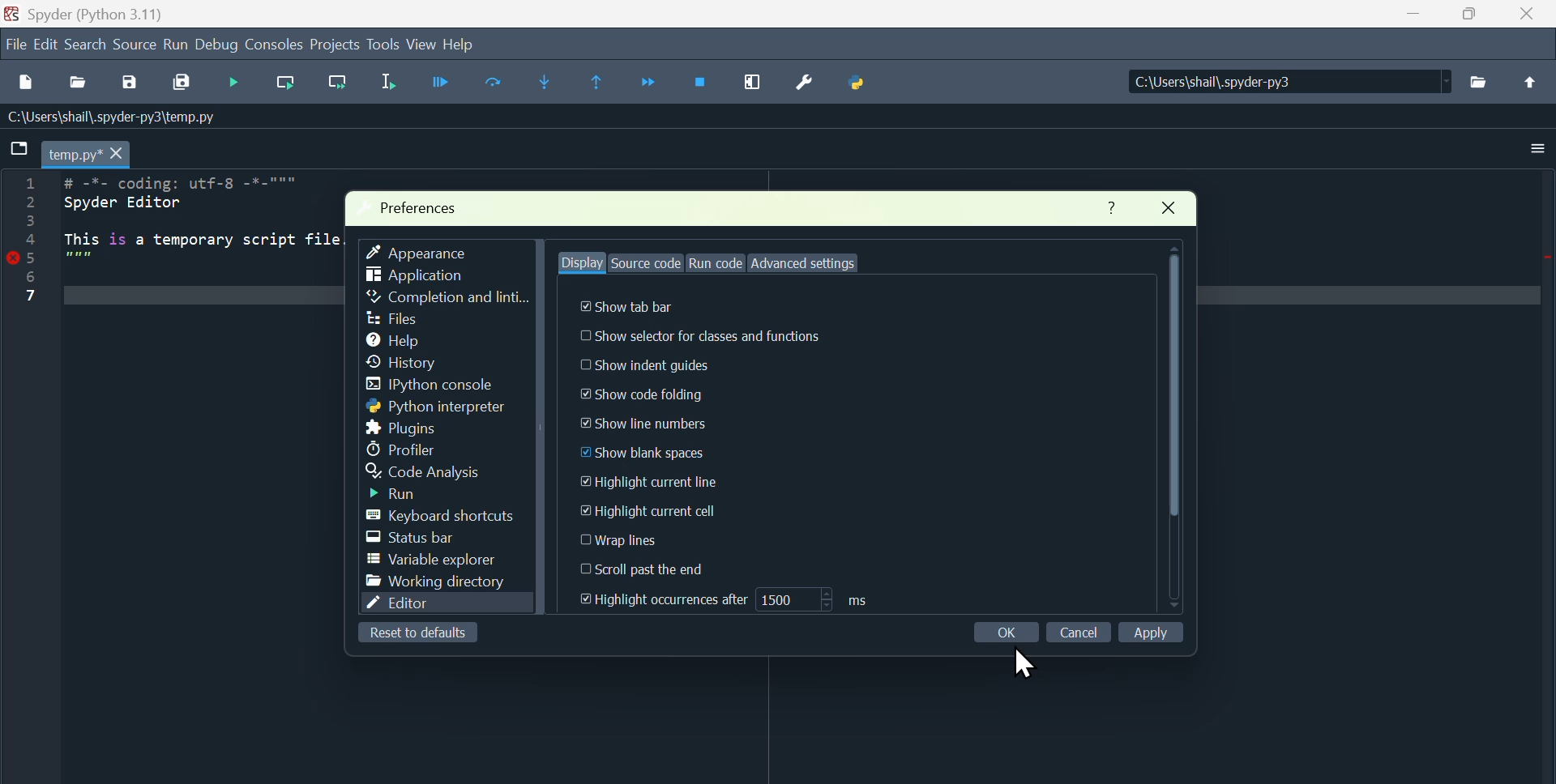 This screenshot has width=1556, height=784. What do you see at coordinates (1272, 79) in the screenshot?
I see `FE —
C:\Users\shaill,spyder-py3` at bounding box center [1272, 79].